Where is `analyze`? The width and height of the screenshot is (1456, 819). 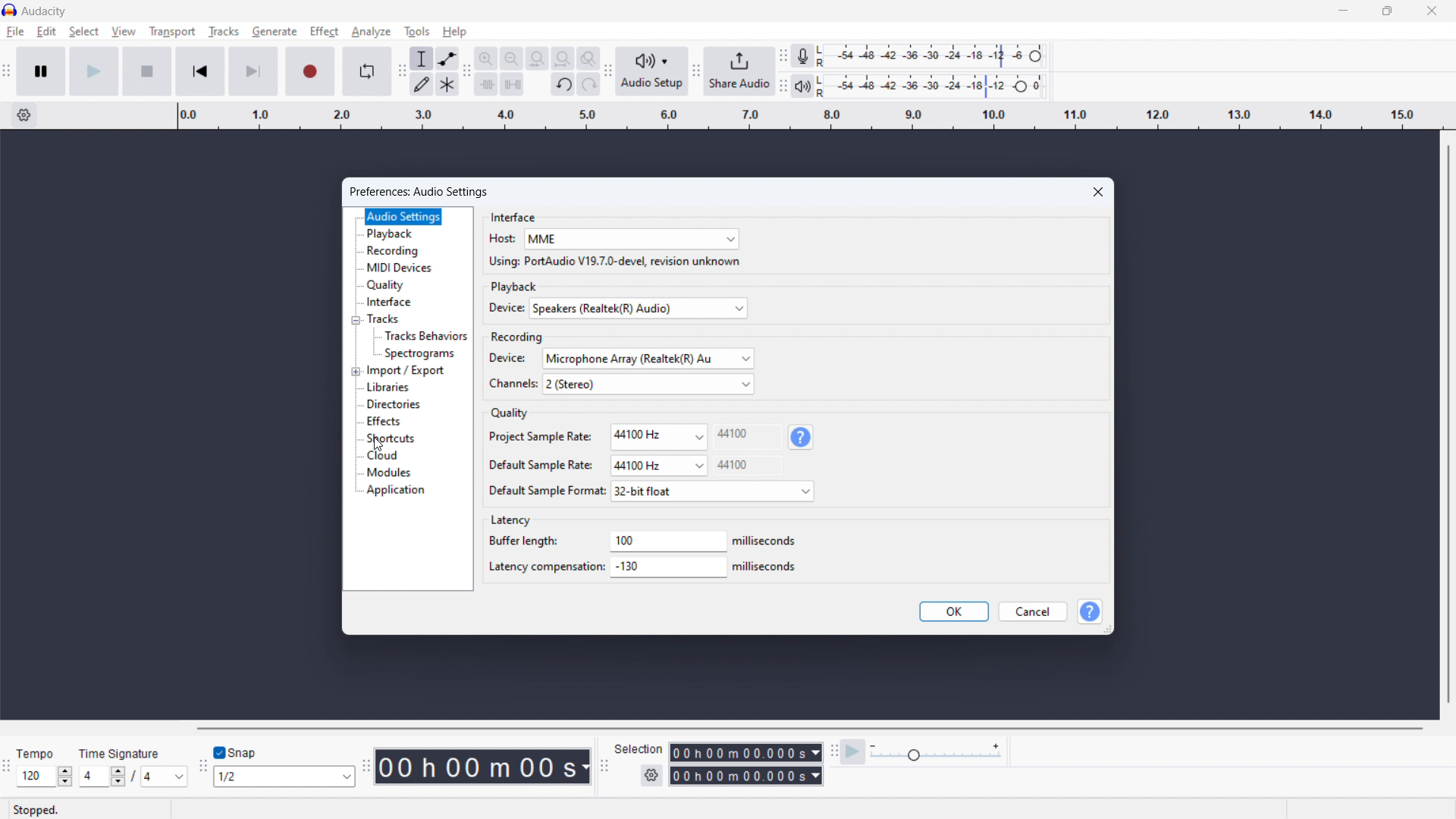 analyze is located at coordinates (372, 32).